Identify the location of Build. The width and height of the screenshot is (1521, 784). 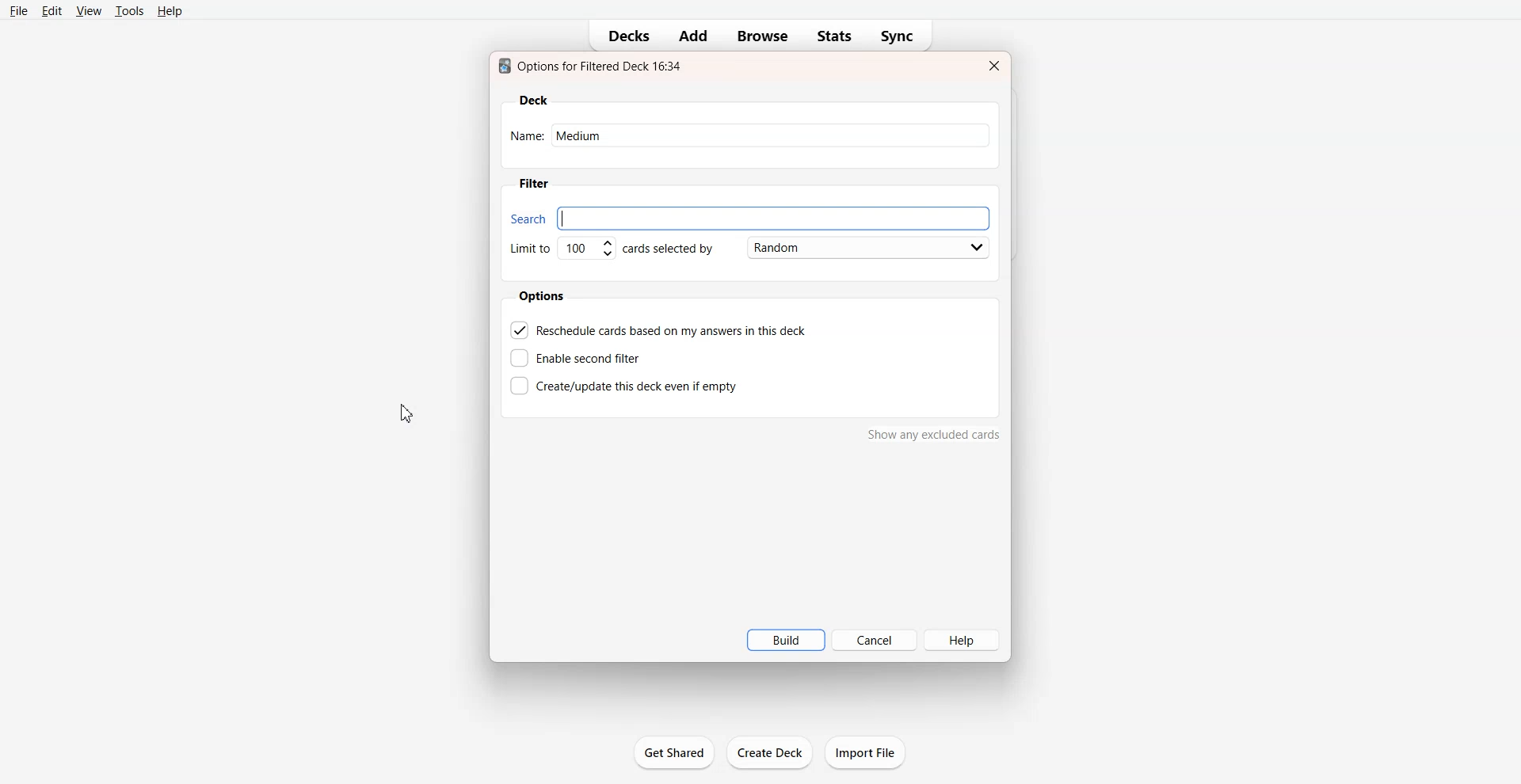
(780, 640).